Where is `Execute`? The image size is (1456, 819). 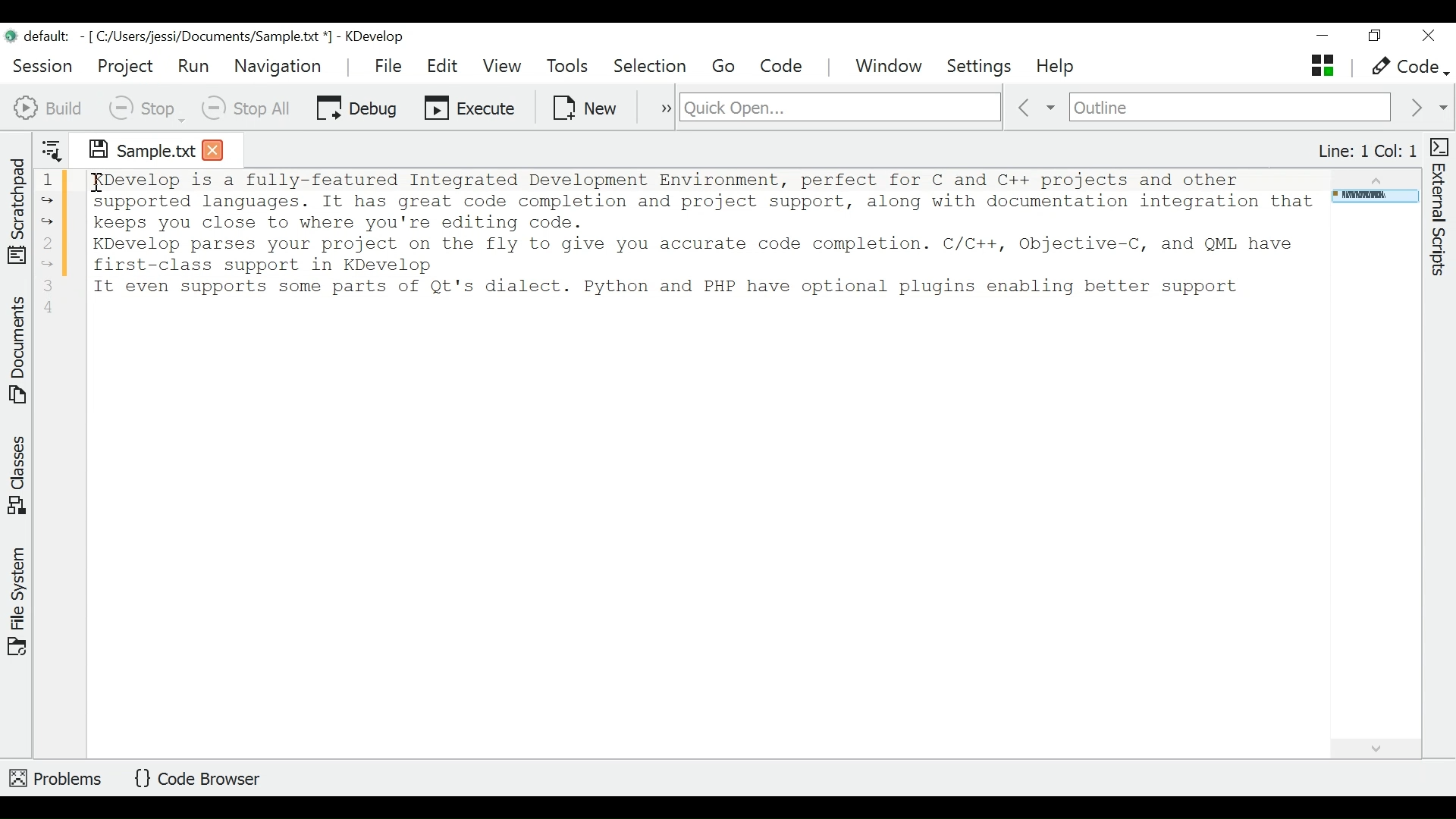
Execute is located at coordinates (471, 106).